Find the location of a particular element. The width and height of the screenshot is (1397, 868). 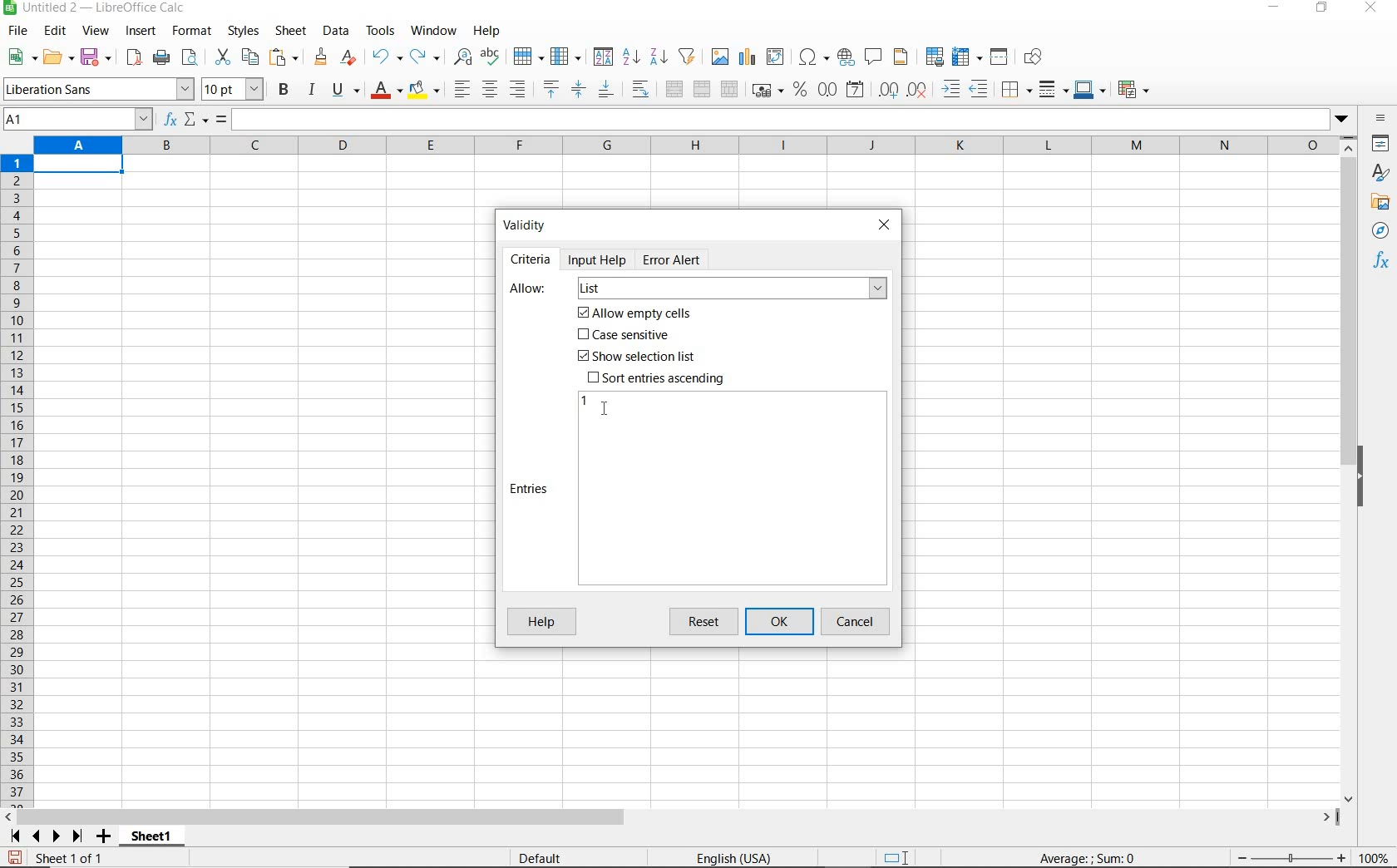

Input help is located at coordinates (599, 259).